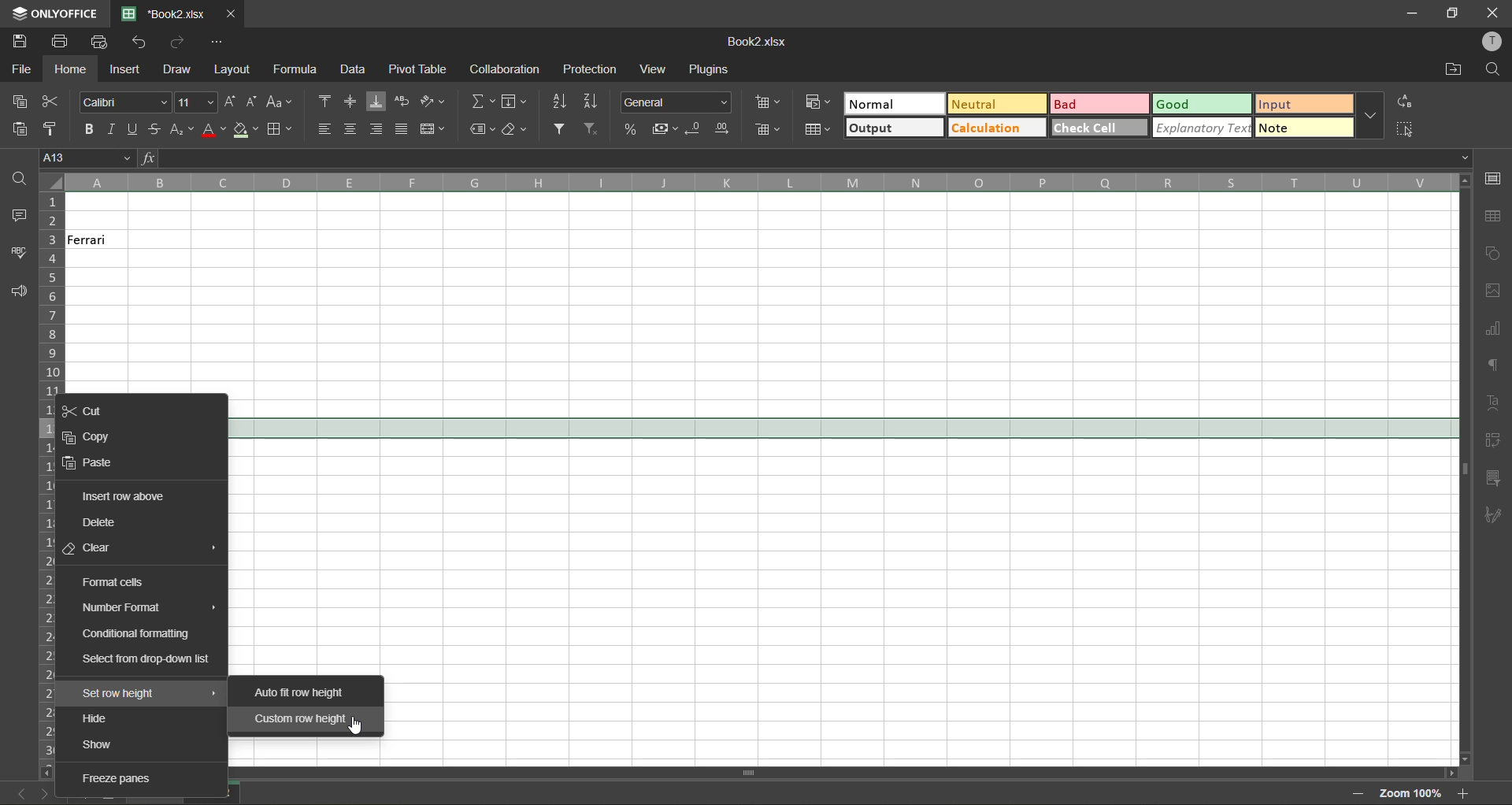  I want to click on charts, so click(1495, 332).